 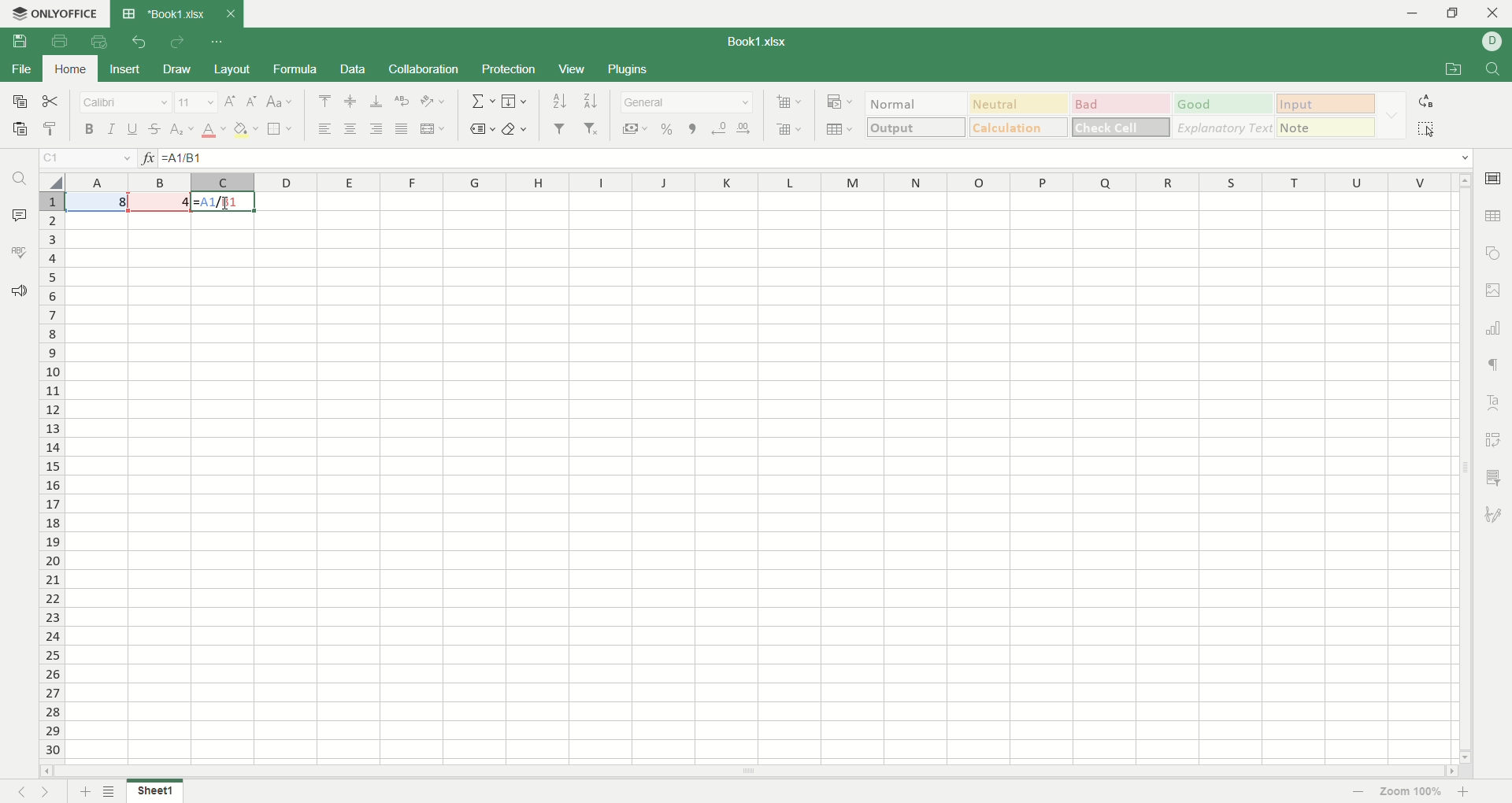 I want to click on align bottom, so click(x=376, y=101).